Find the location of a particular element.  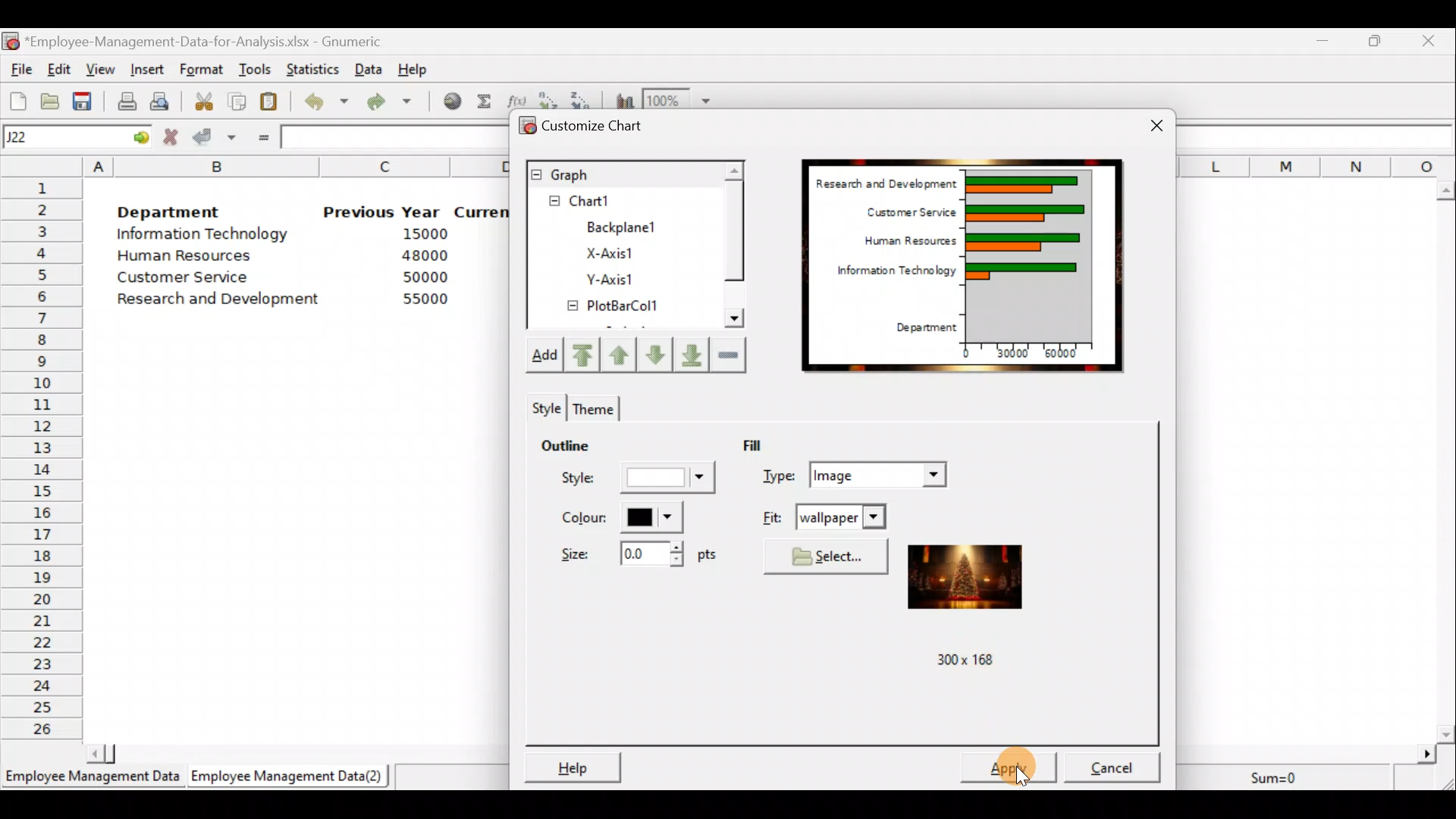

Department is located at coordinates (180, 212).